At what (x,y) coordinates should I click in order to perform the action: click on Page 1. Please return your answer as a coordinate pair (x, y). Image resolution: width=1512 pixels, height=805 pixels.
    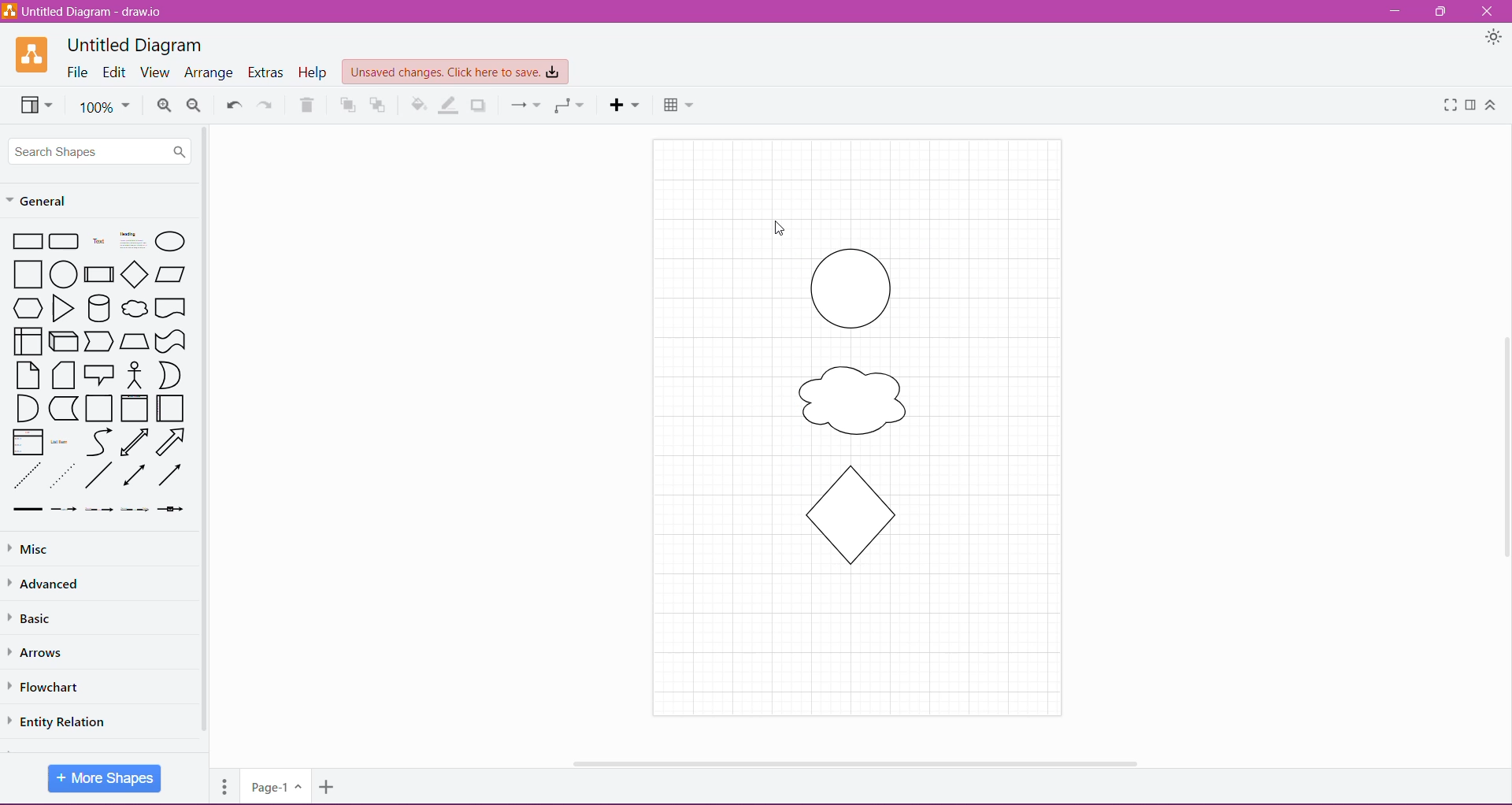
    Looking at the image, I should click on (274, 785).